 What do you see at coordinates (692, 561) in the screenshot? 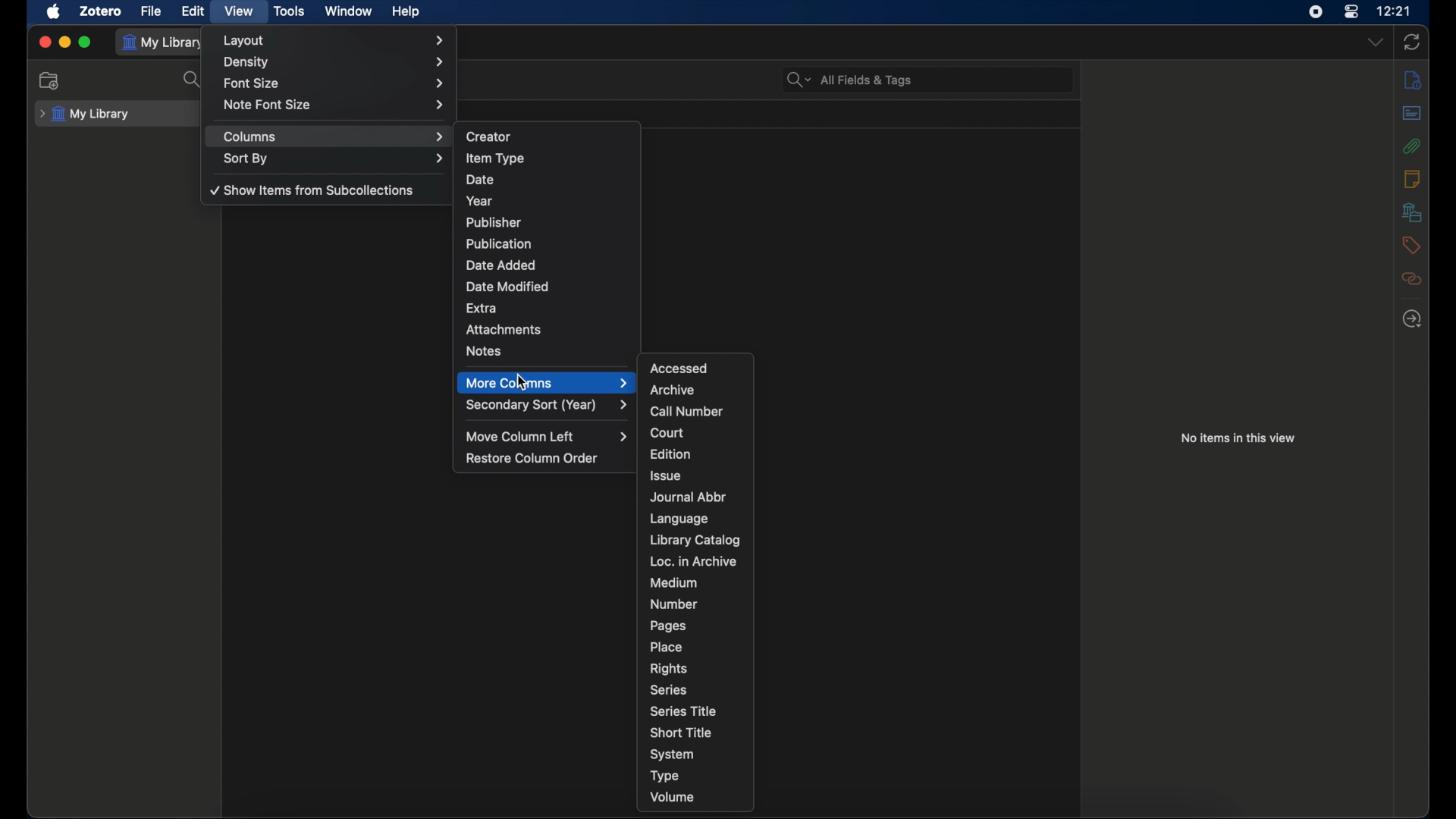
I see `loc.in archive` at bounding box center [692, 561].